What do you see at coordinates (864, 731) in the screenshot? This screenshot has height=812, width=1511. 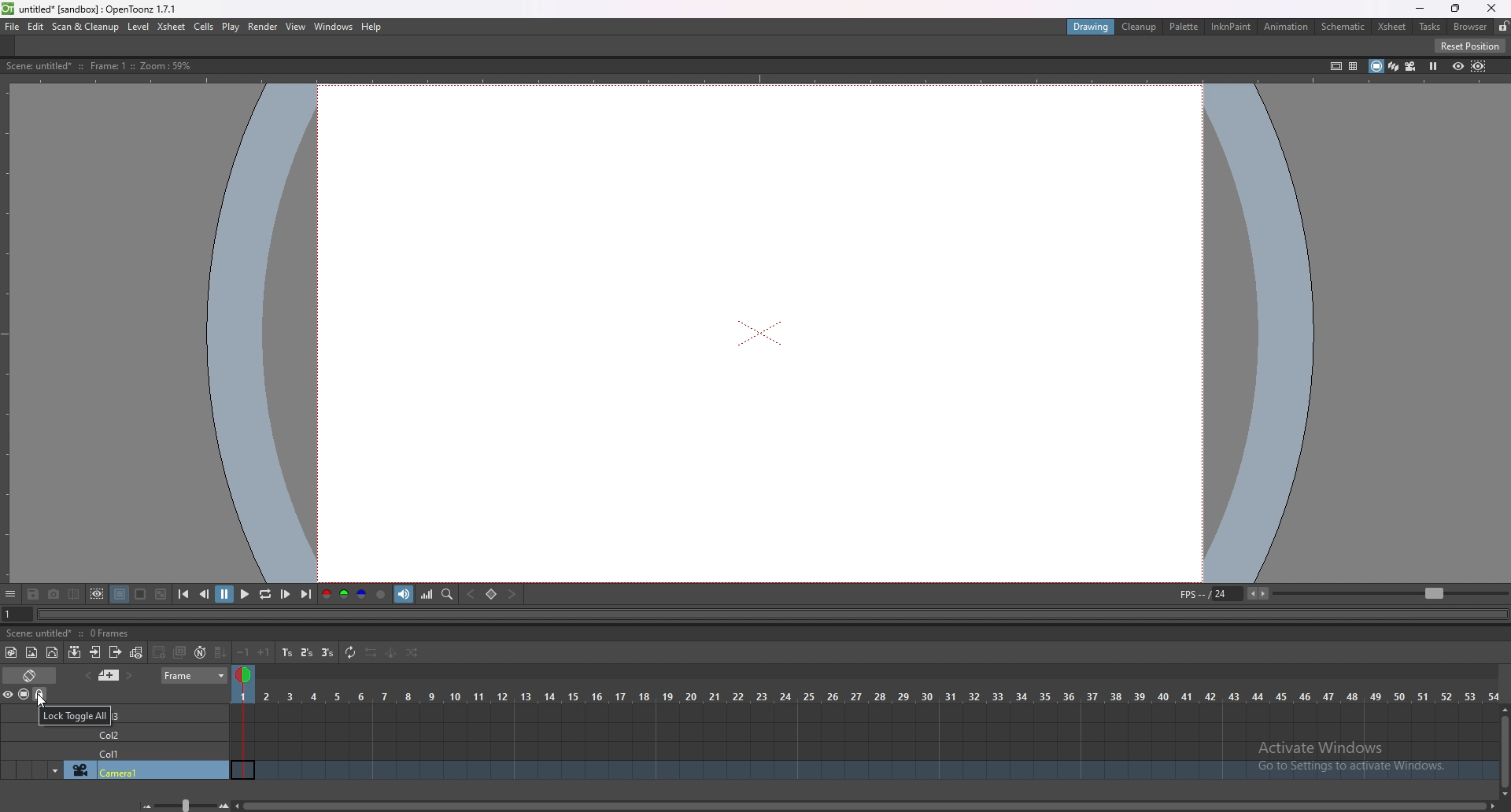 I see `timeline` at bounding box center [864, 731].